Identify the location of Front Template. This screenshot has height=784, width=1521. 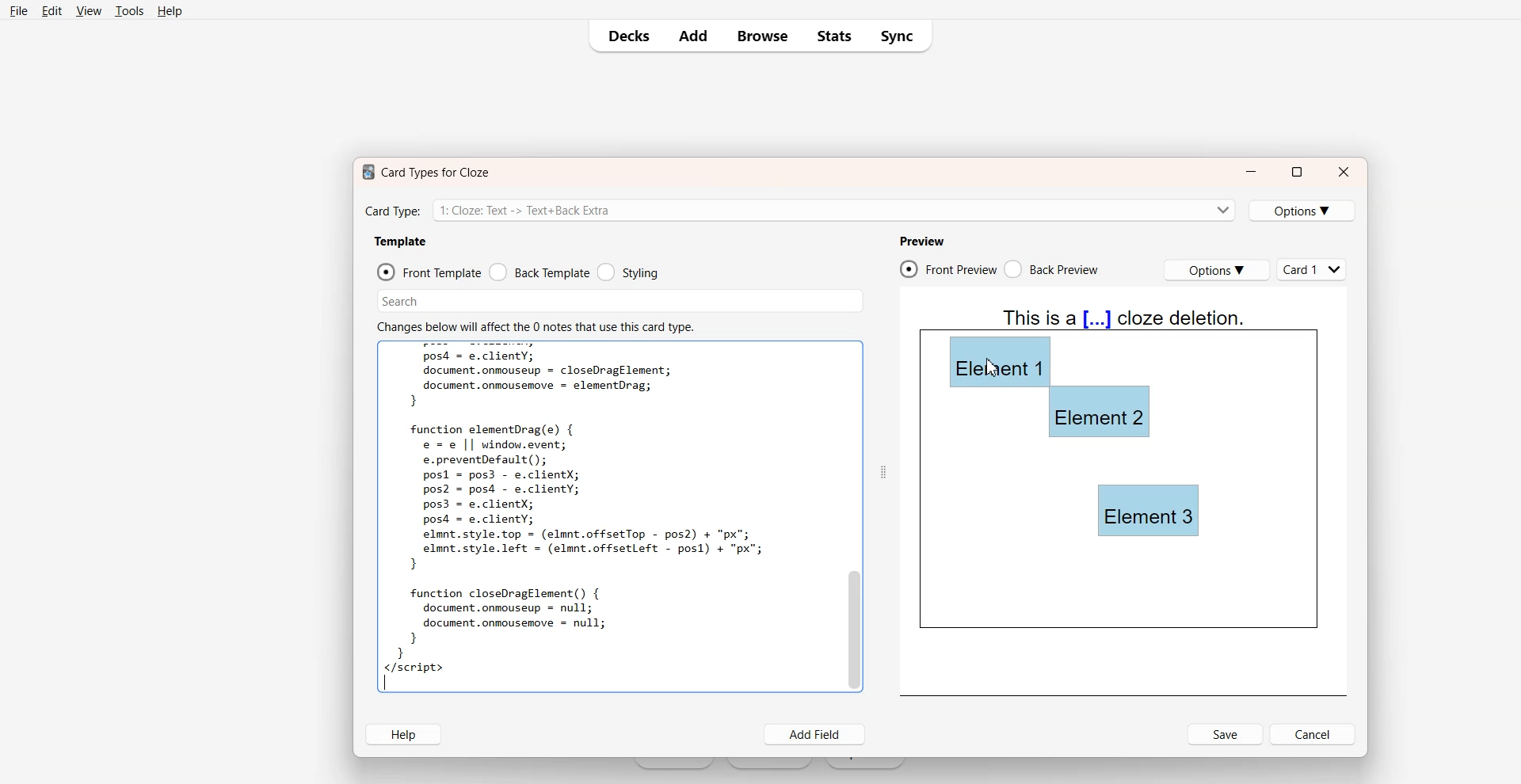
(429, 272).